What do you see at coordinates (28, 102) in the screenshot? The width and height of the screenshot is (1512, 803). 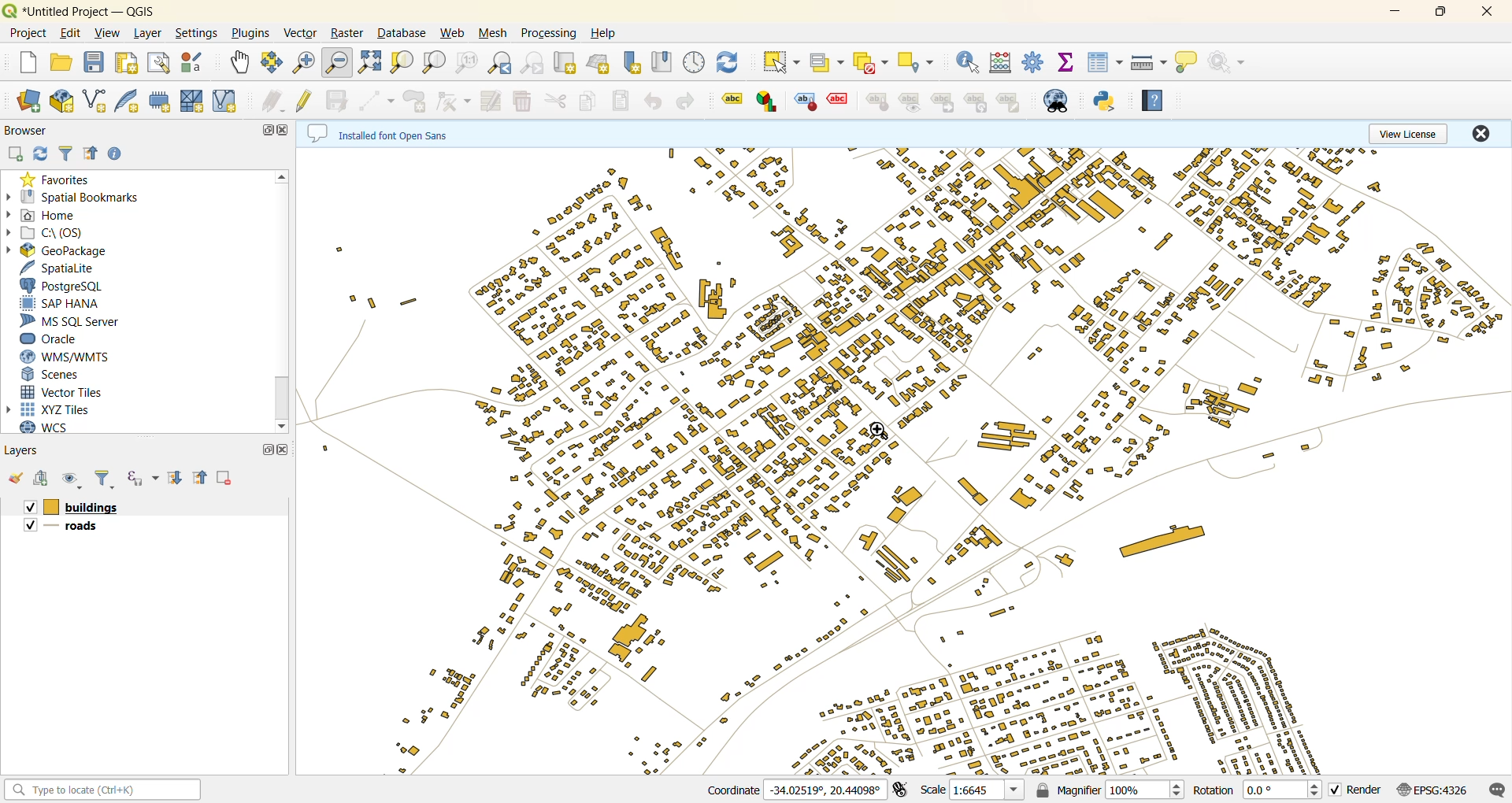 I see `open data source manager` at bounding box center [28, 102].